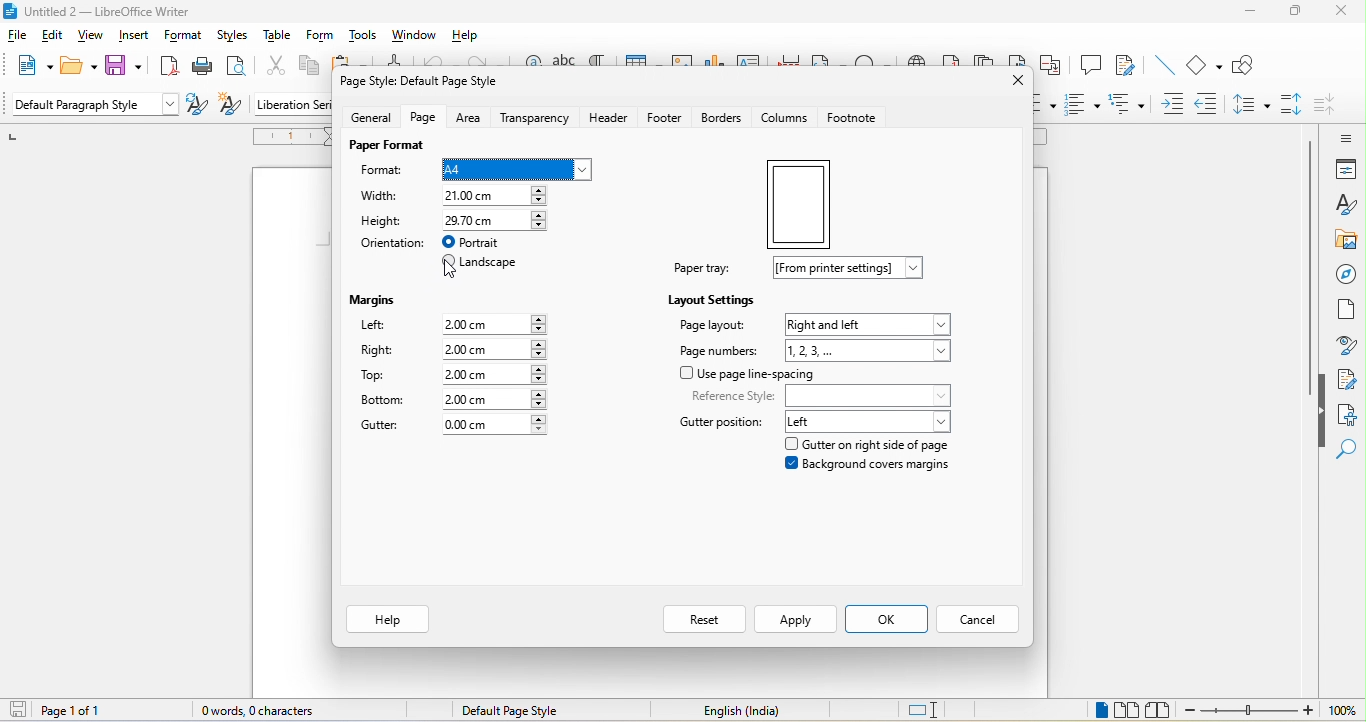  I want to click on book view, so click(1164, 710).